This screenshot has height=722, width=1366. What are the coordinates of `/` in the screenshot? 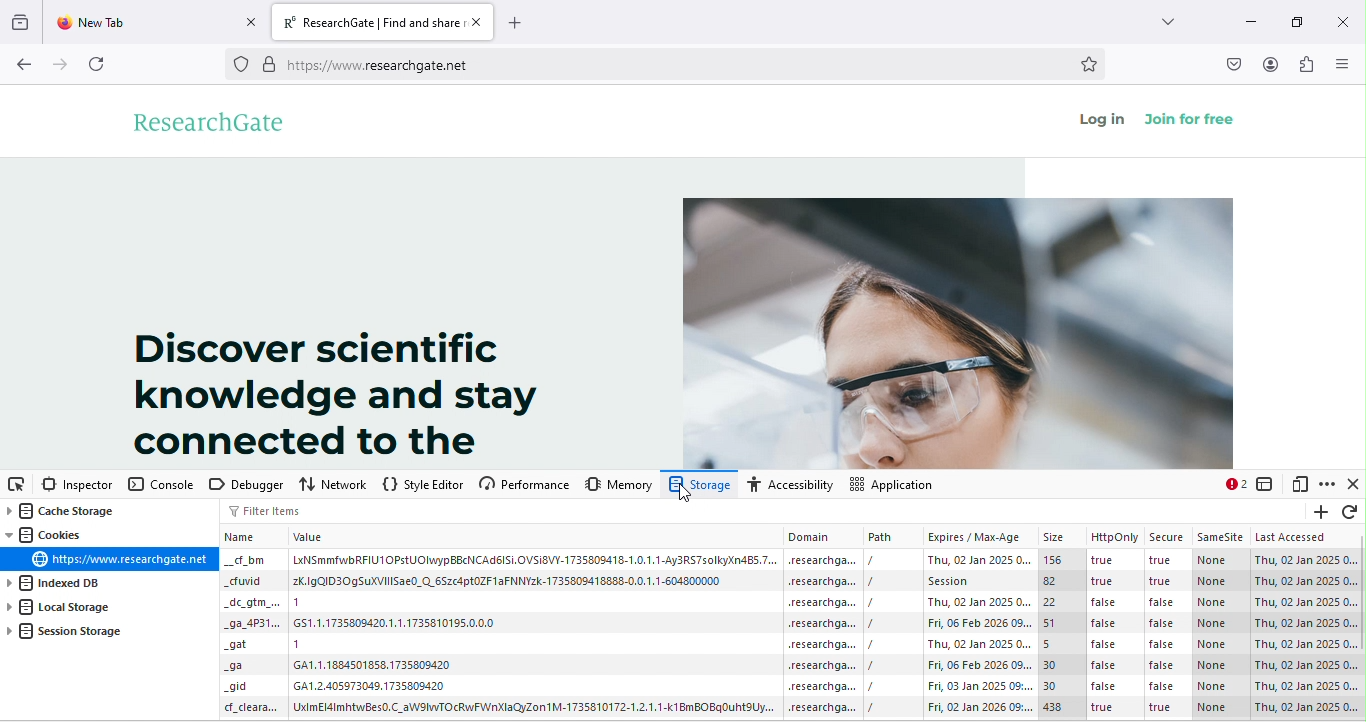 It's located at (874, 647).